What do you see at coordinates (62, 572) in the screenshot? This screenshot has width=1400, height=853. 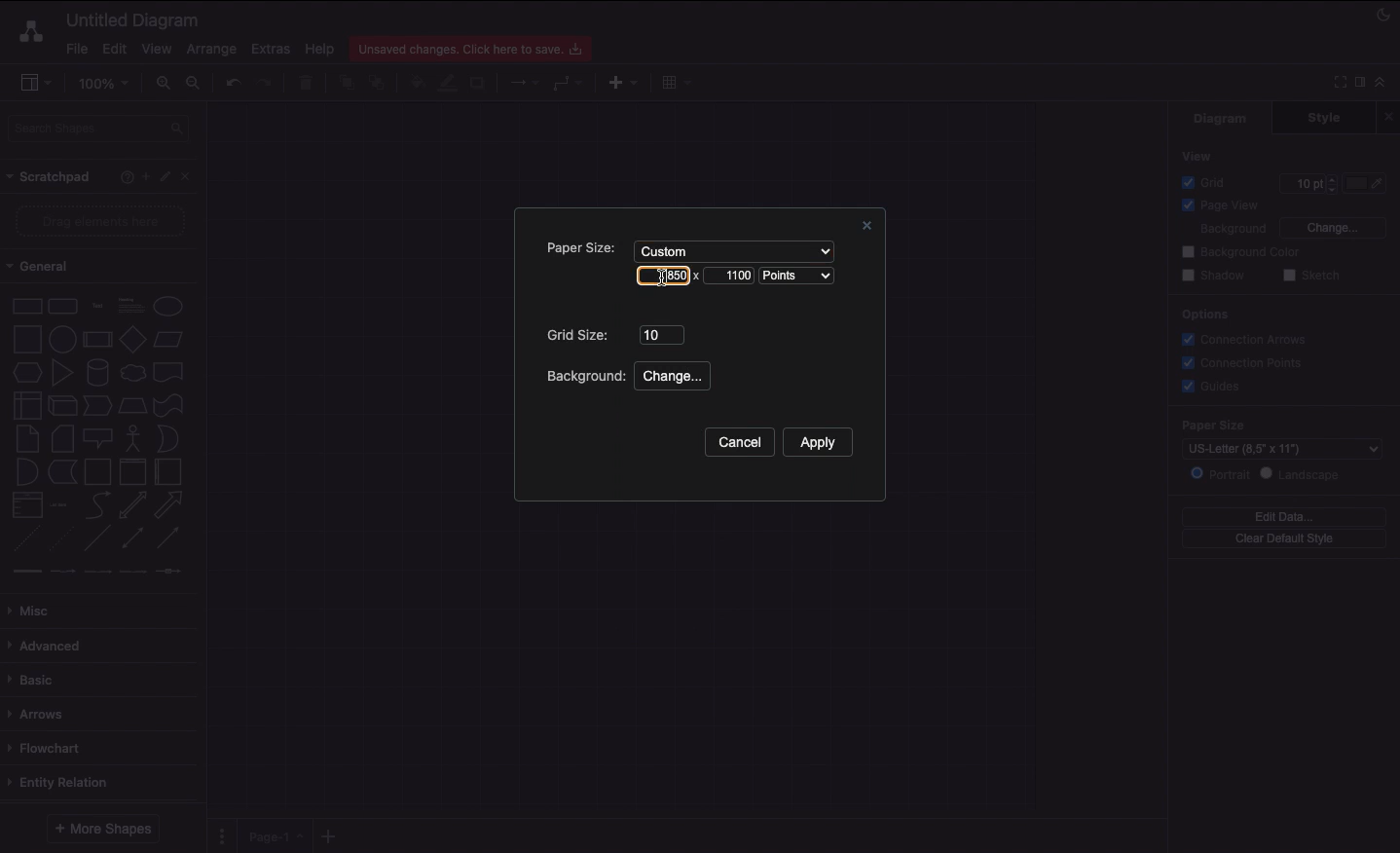 I see `connector 2` at bounding box center [62, 572].